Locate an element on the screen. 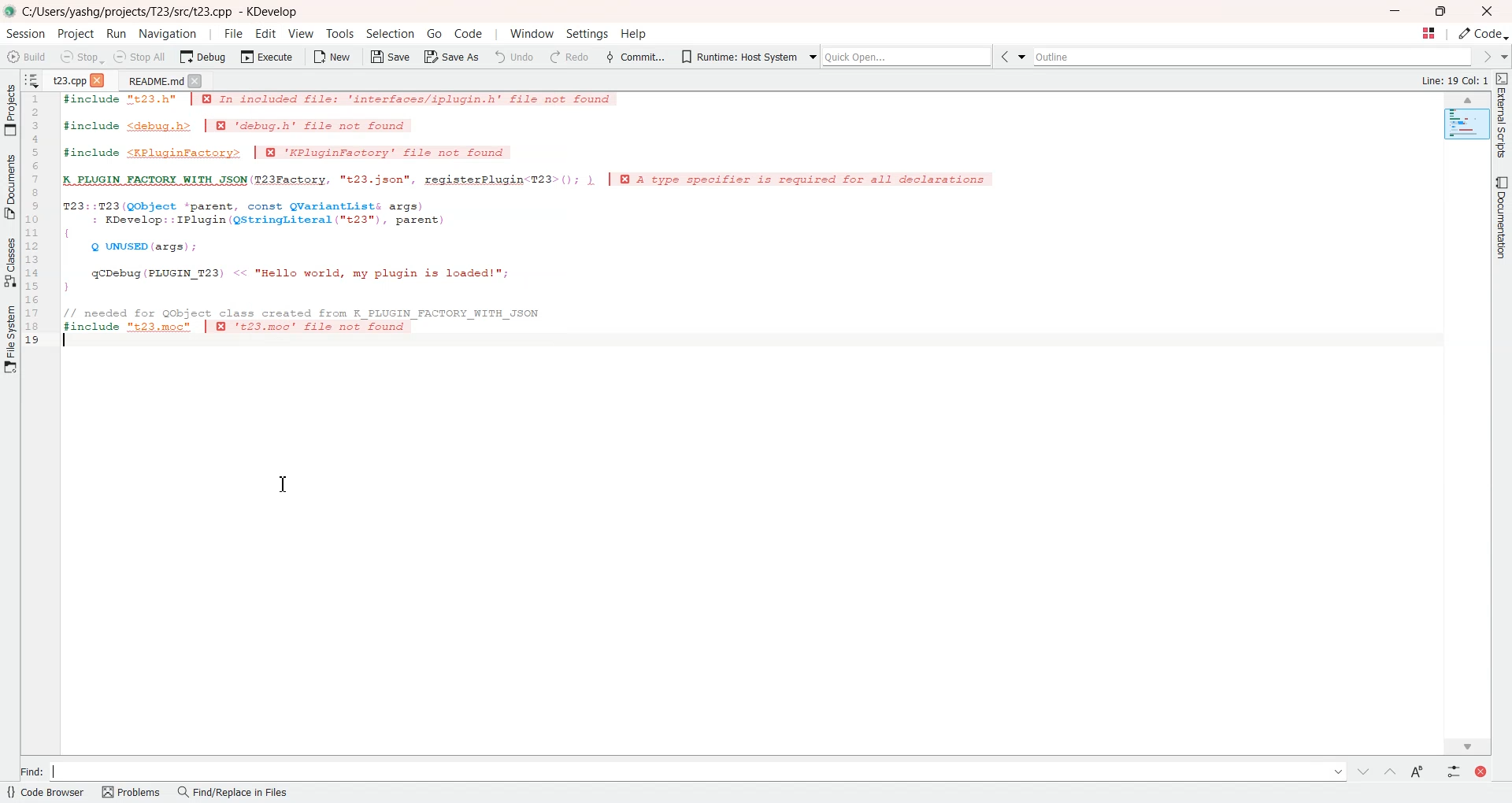 The image size is (1512, 803). New is located at coordinates (333, 56).